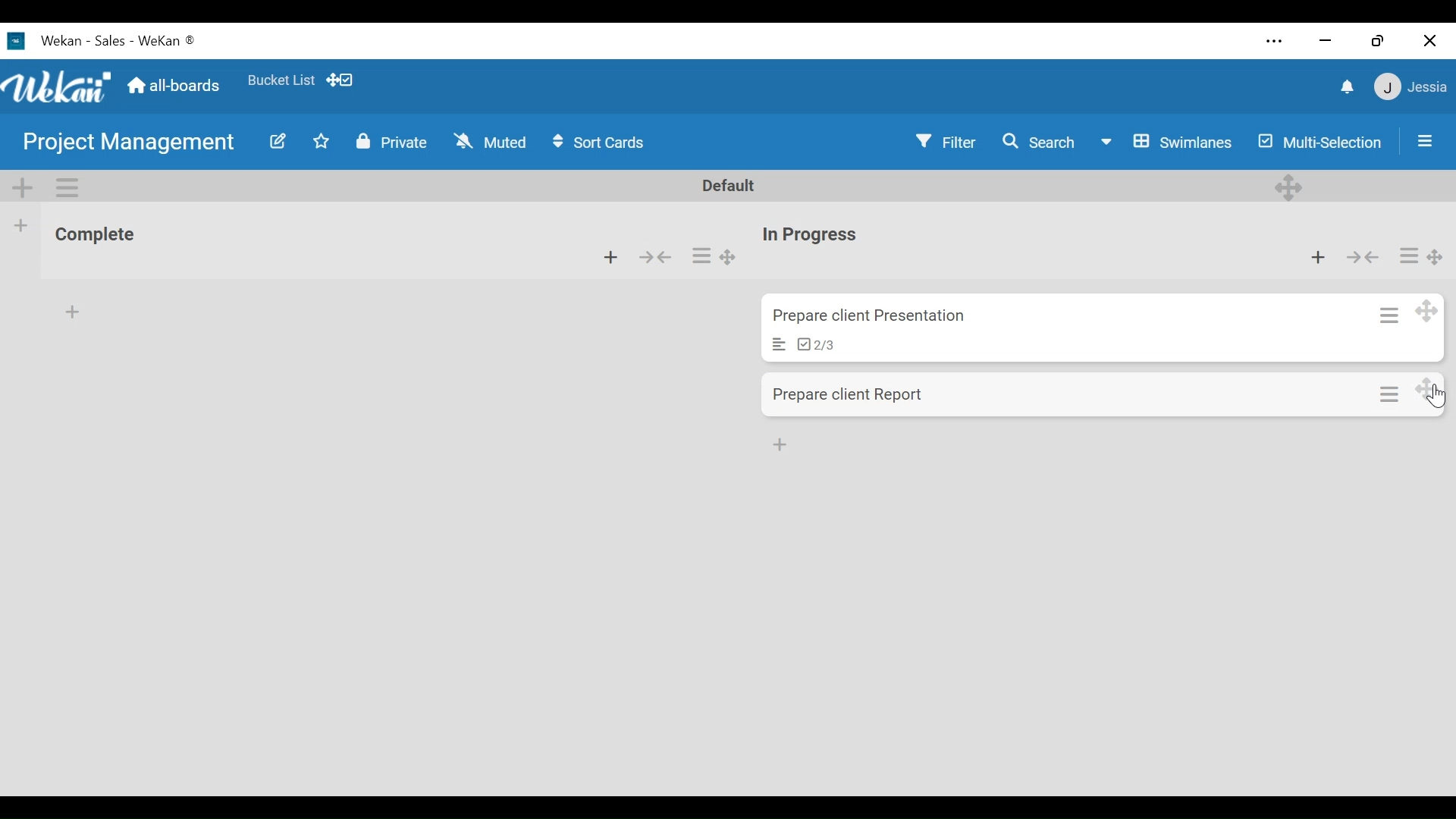 The width and height of the screenshot is (1456, 819). What do you see at coordinates (1319, 144) in the screenshot?
I see `Multi-Selection` at bounding box center [1319, 144].